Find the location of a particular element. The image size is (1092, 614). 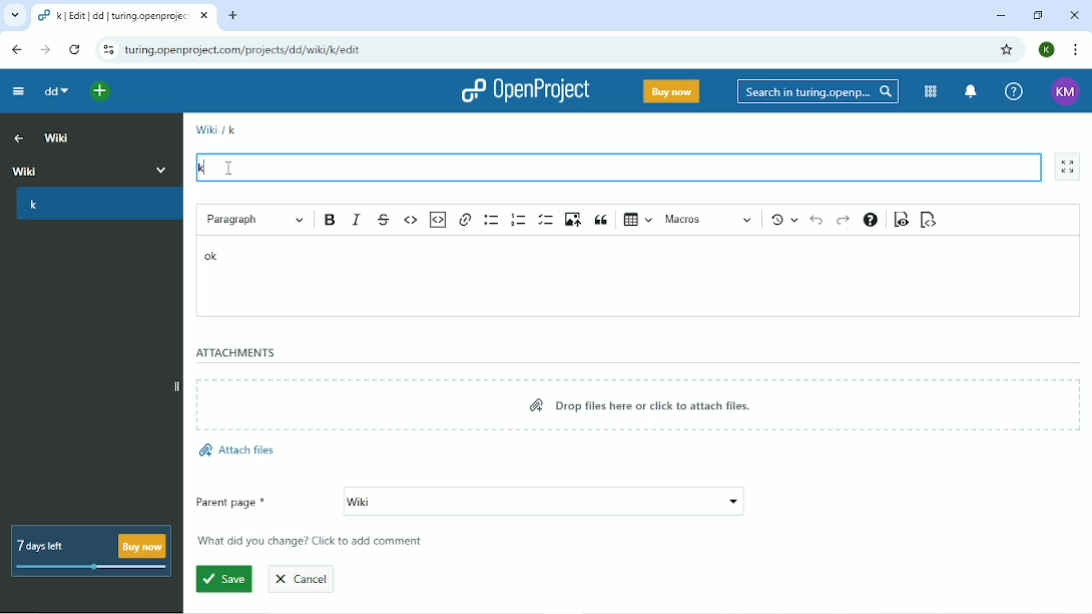

Save is located at coordinates (223, 579).